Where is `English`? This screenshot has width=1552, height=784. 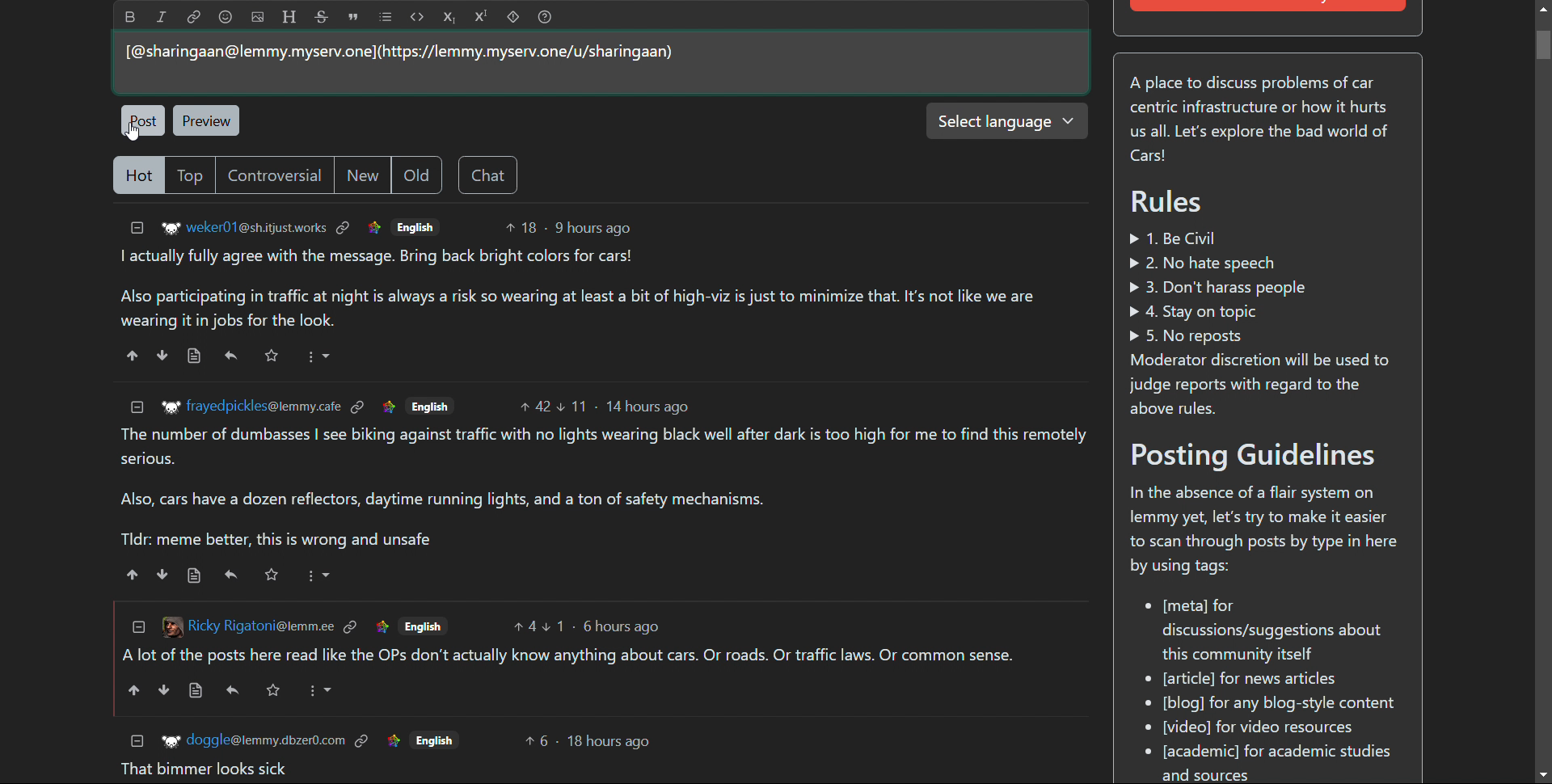 English is located at coordinates (430, 404).